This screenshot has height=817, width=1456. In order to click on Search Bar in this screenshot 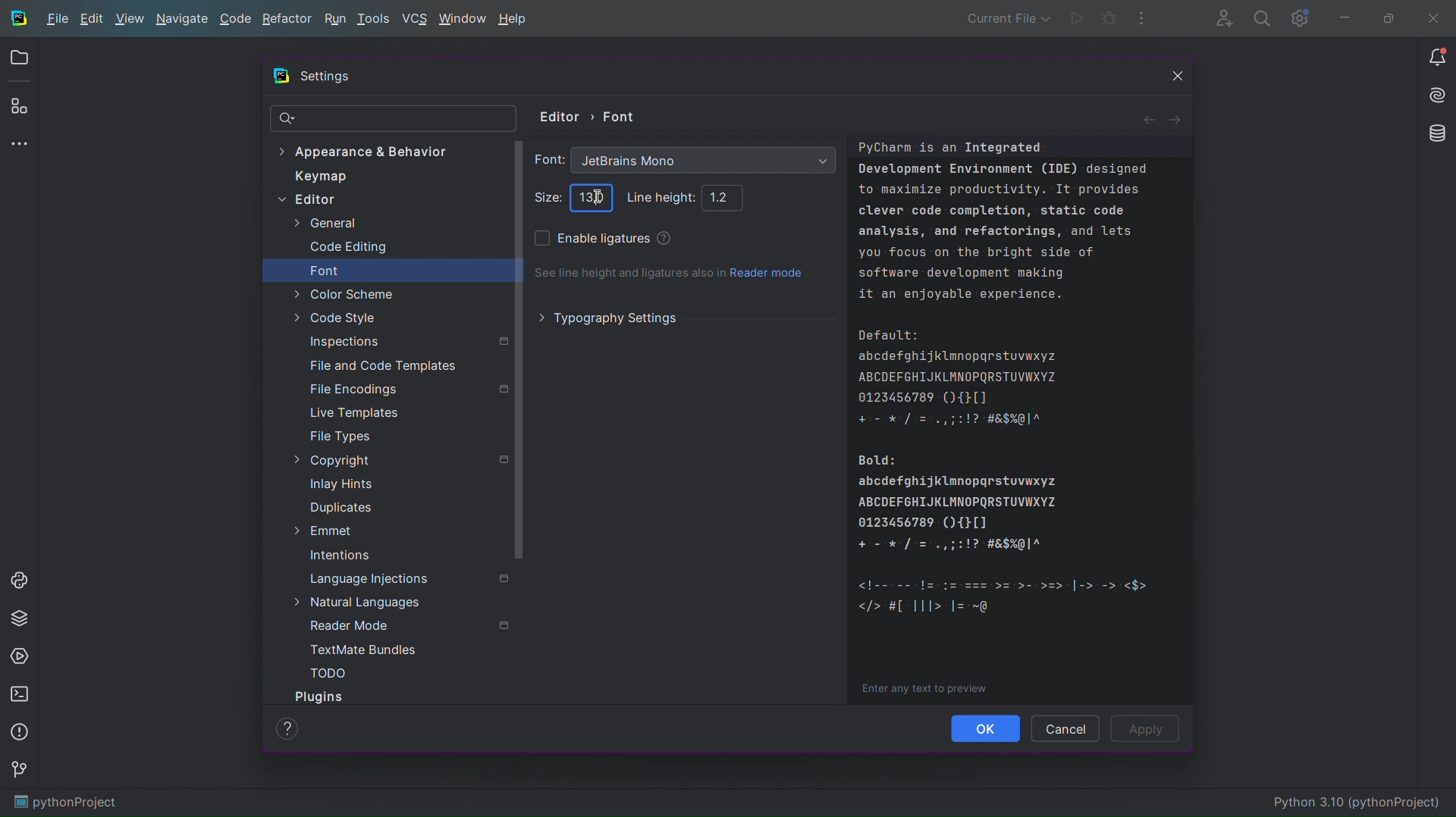, I will do `click(394, 119)`.